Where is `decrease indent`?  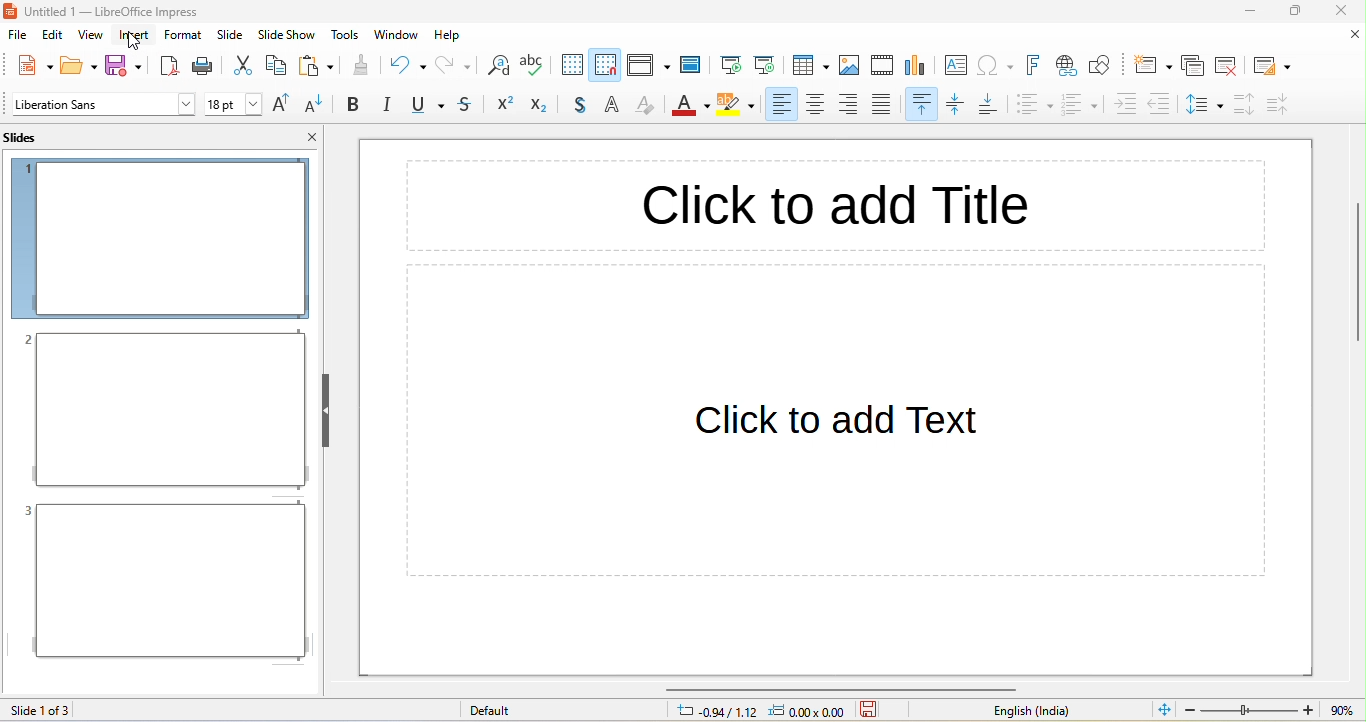
decrease indent is located at coordinates (1164, 103).